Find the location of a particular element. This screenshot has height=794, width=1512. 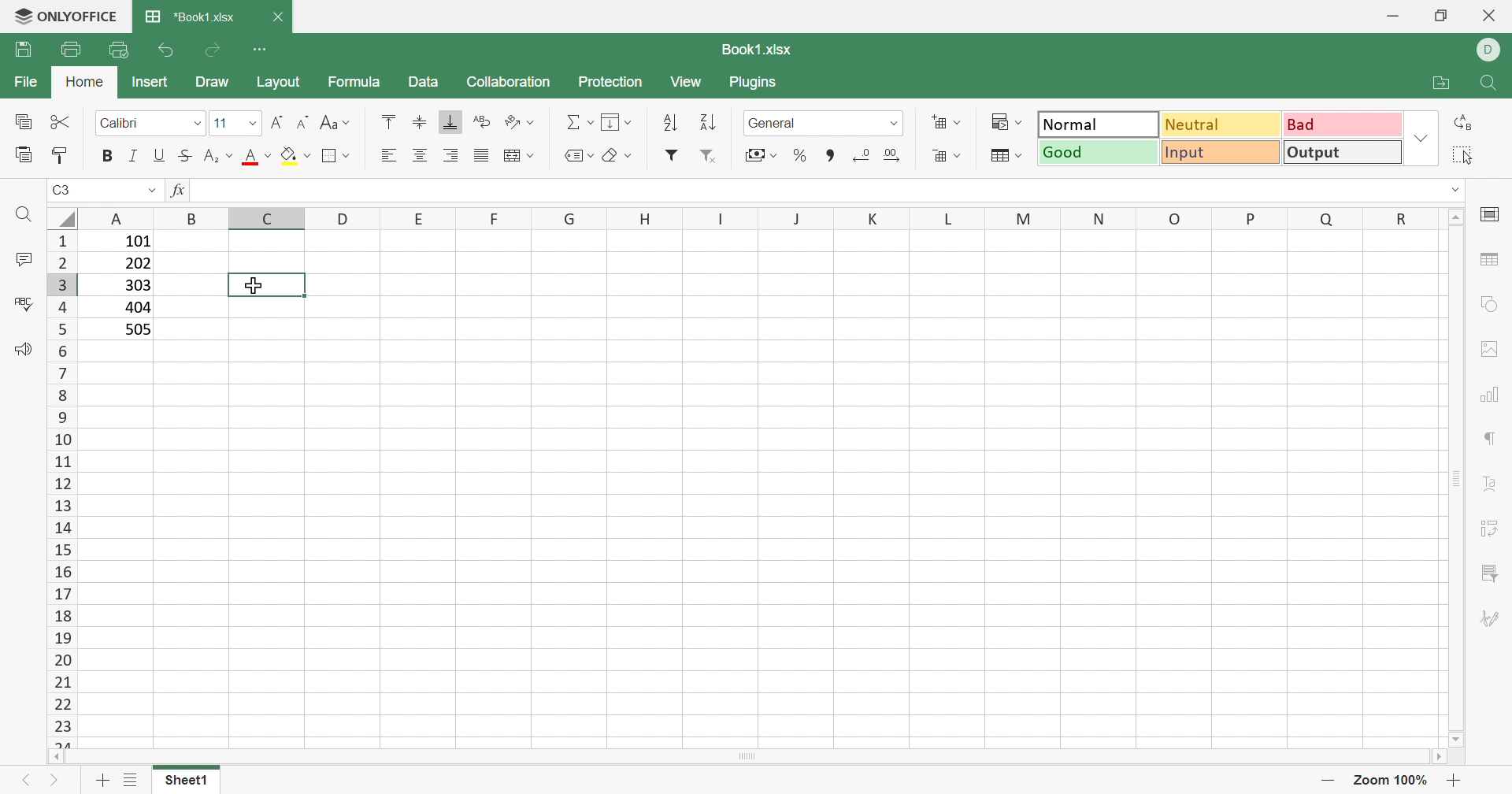

Percent is located at coordinates (802, 158).